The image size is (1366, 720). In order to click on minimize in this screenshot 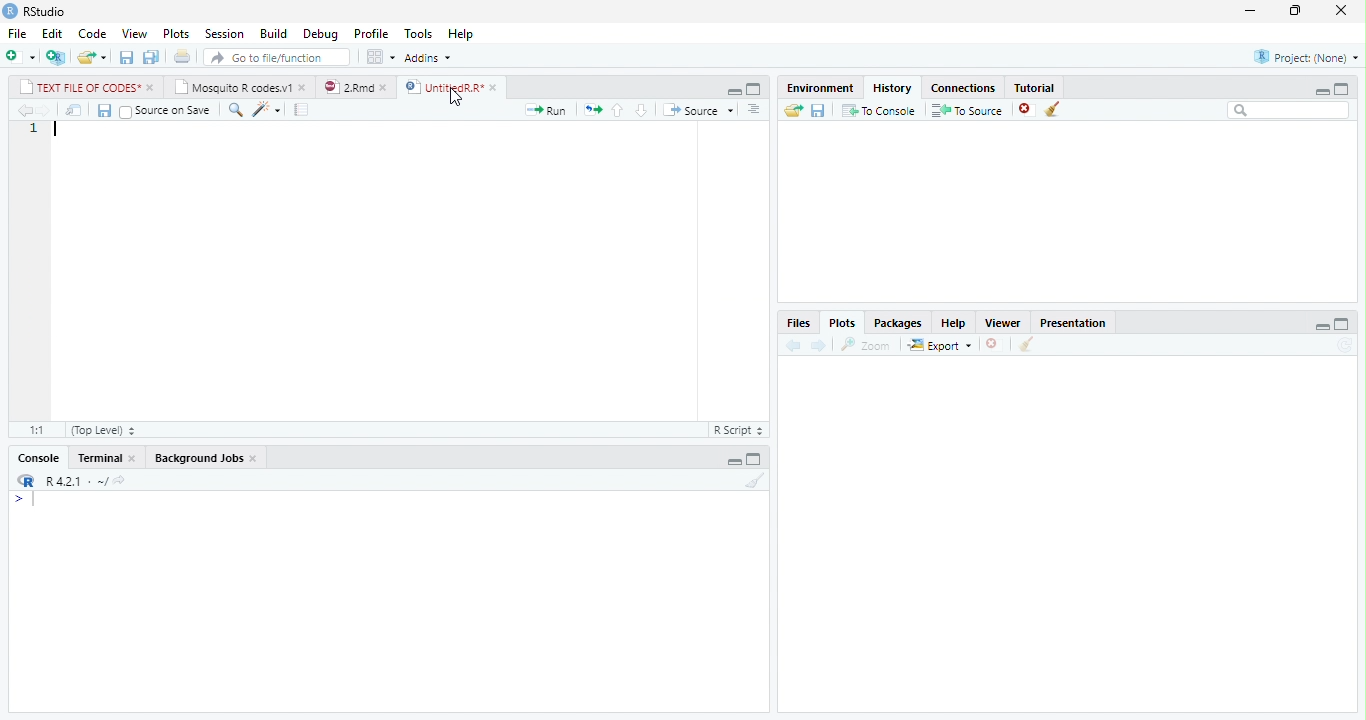, I will do `click(734, 462)`.